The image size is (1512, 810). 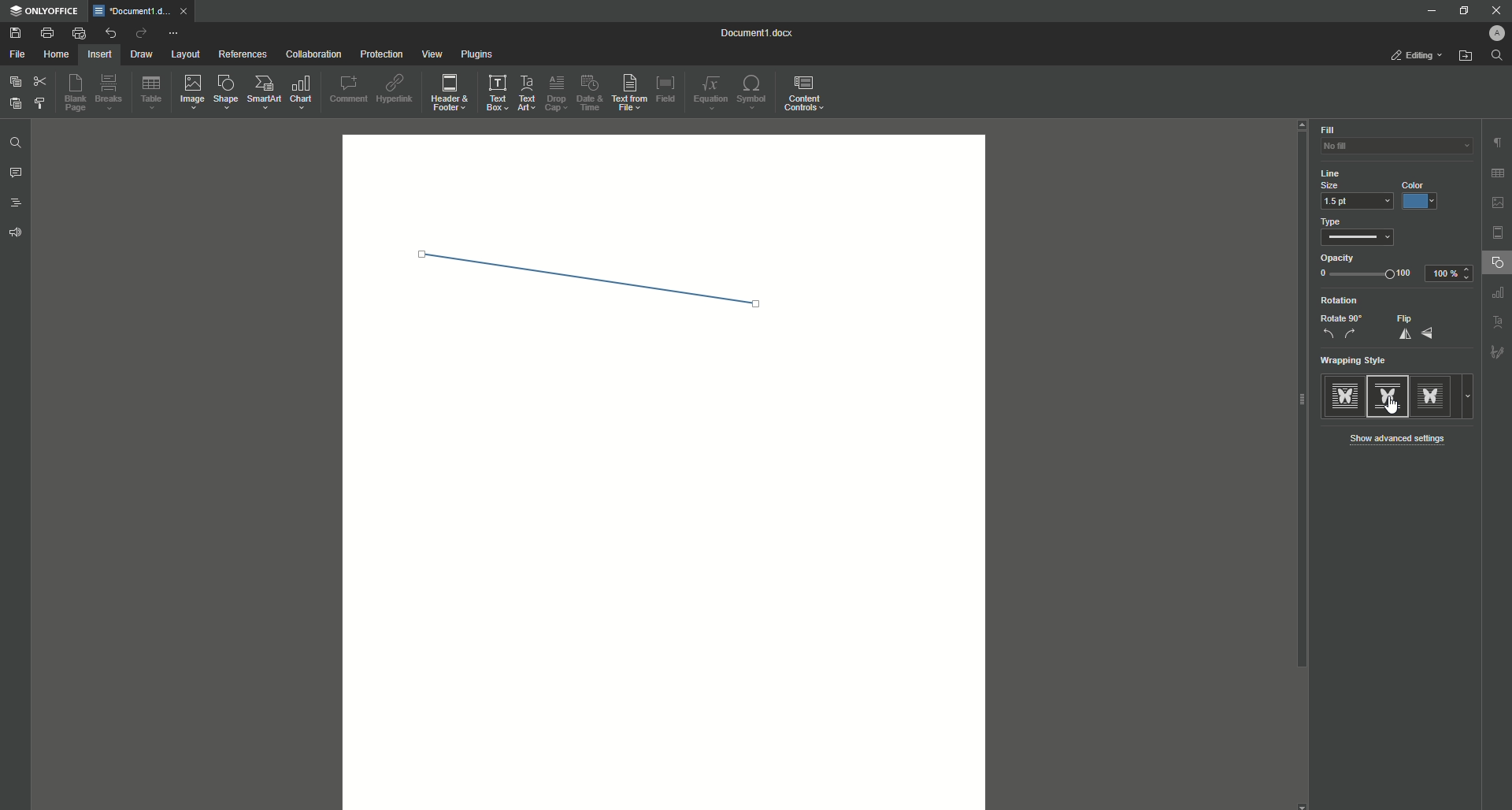 What do you see at coordinates (594, 93) in the screenshot?
I see `Date and Time` at bounding box center [594, 93].